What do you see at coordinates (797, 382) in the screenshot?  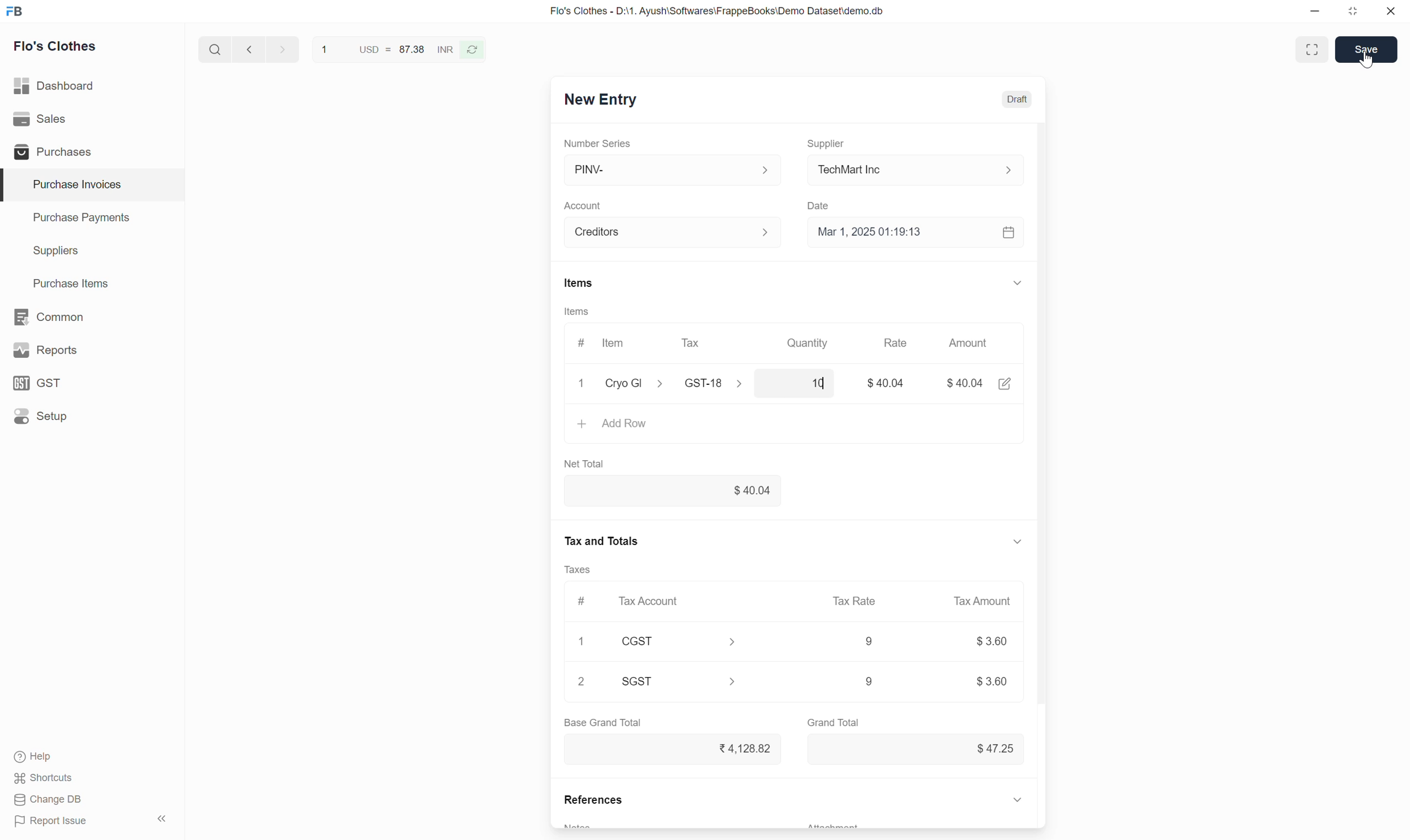 I see `10` at bounding box center [797, 382].